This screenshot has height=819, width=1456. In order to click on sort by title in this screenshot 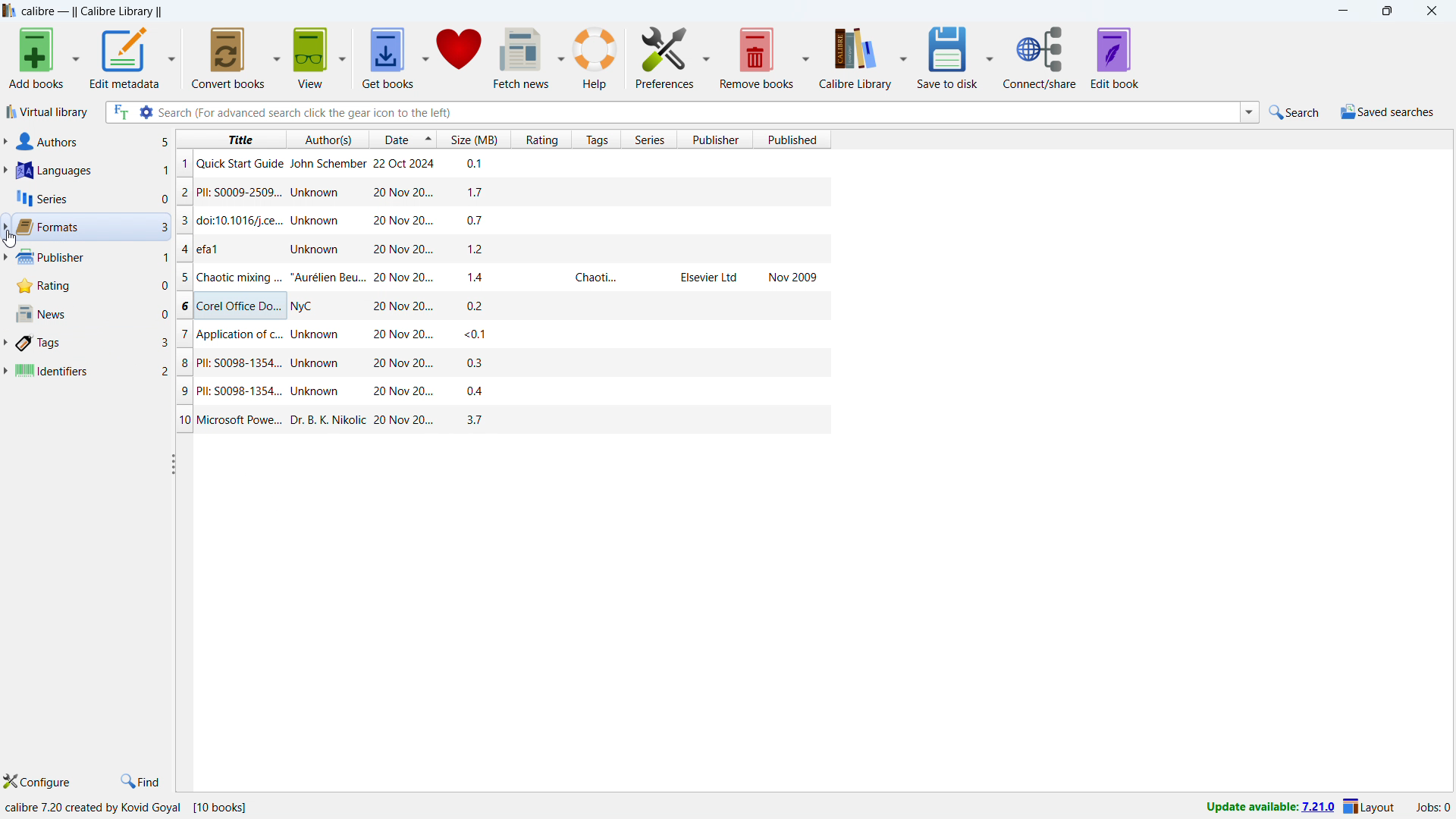, I will do `click(230, 138)`.